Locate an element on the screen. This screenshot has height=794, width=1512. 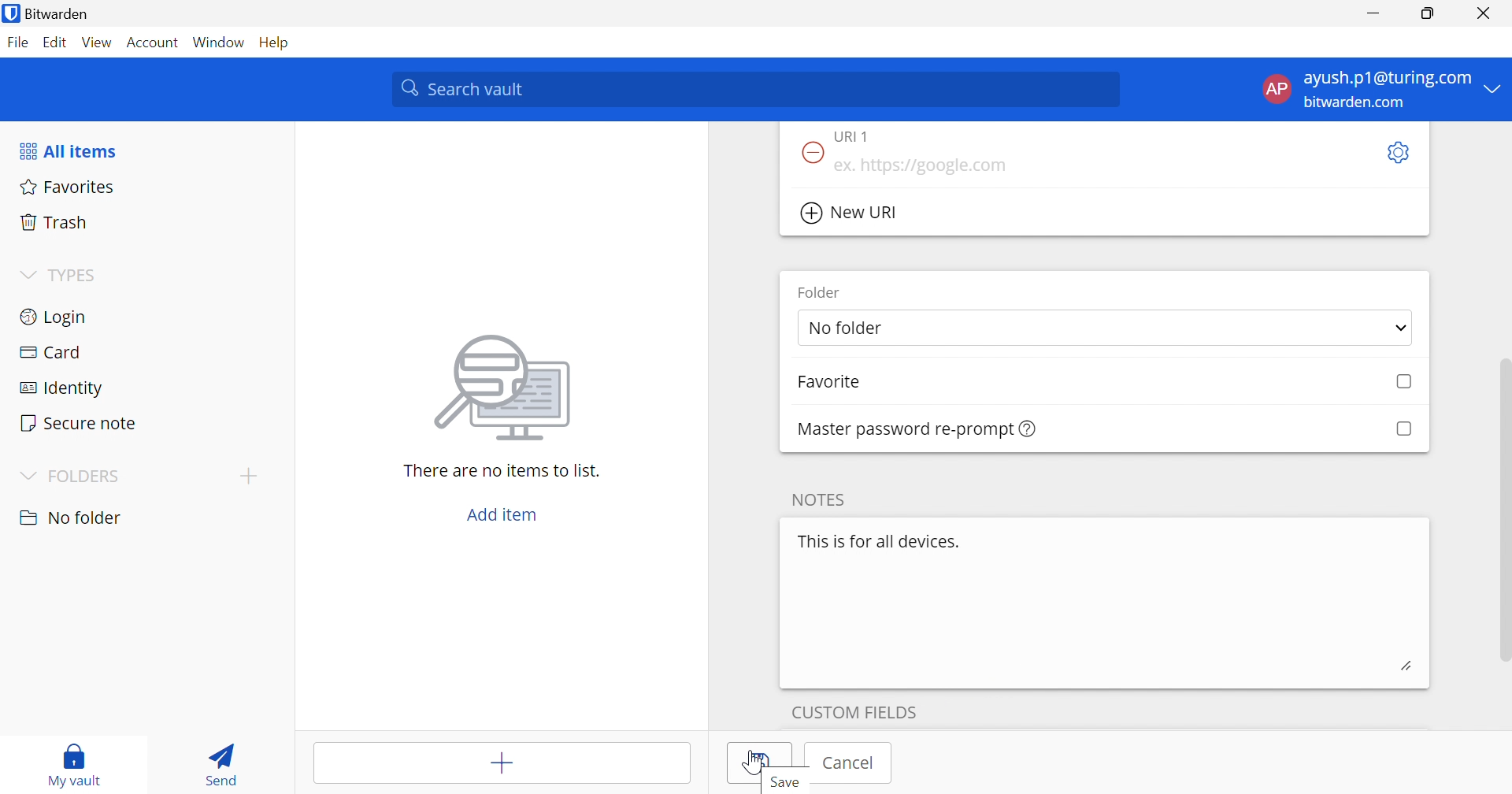
Window is located at coordinates (220, 43).